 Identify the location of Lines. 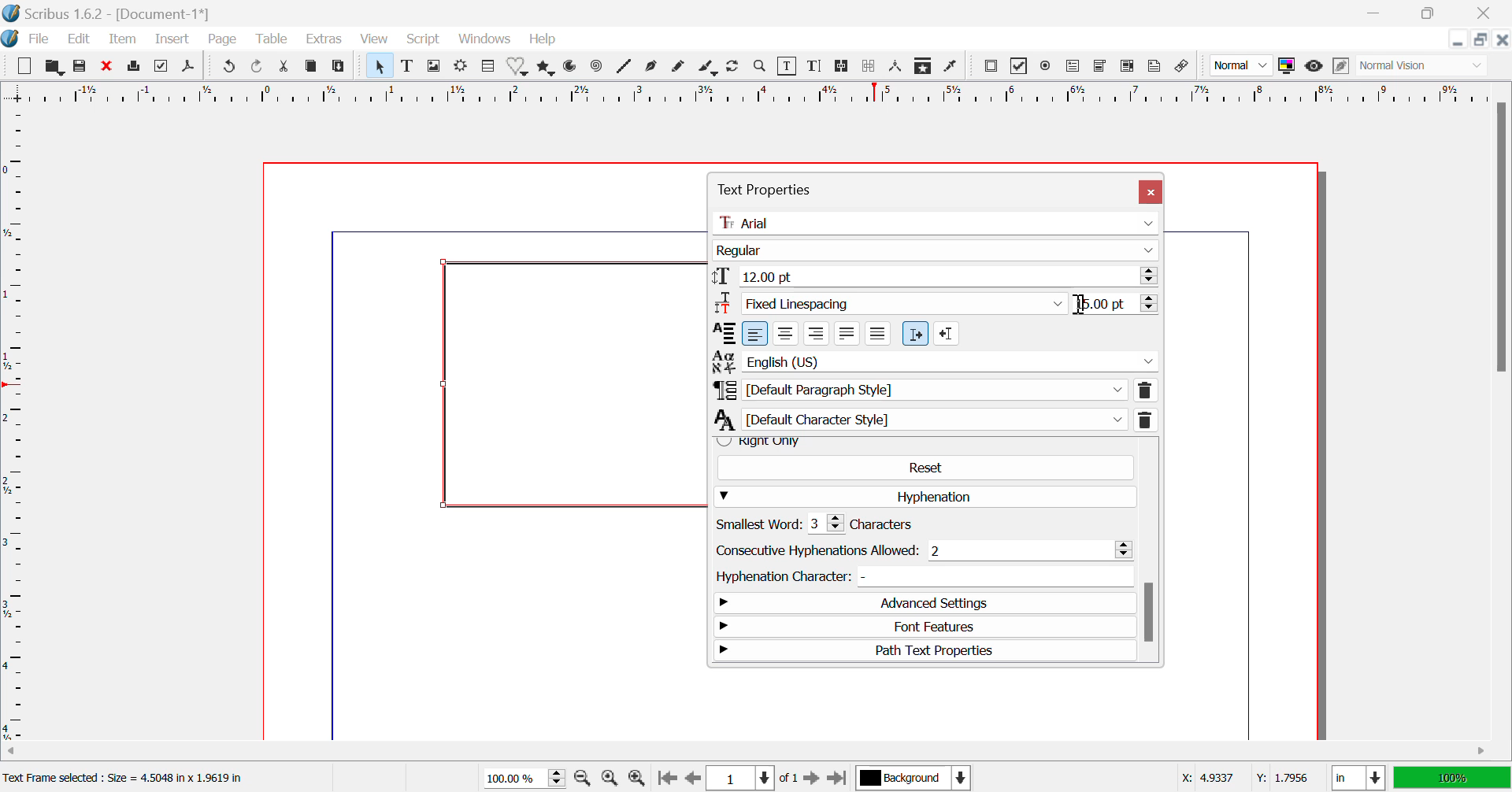
(624, 68).